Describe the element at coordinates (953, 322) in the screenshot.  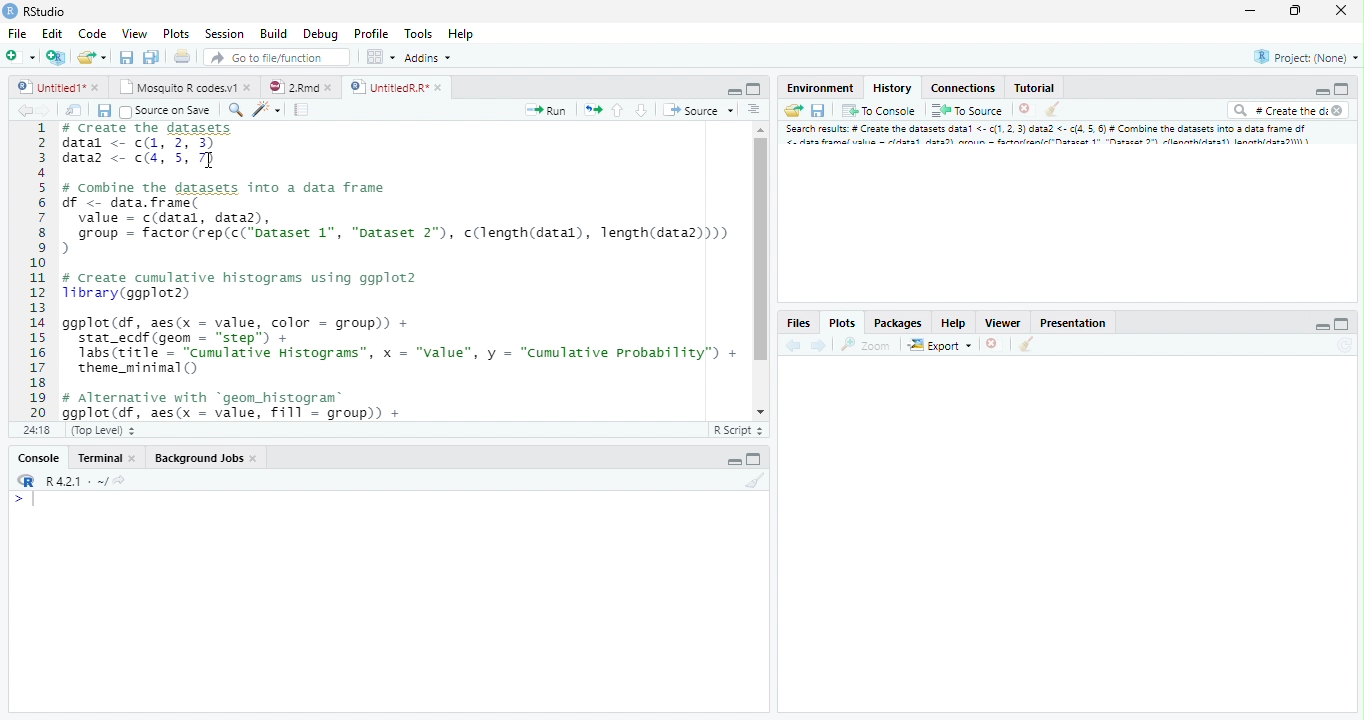
I see `Help` at that location.